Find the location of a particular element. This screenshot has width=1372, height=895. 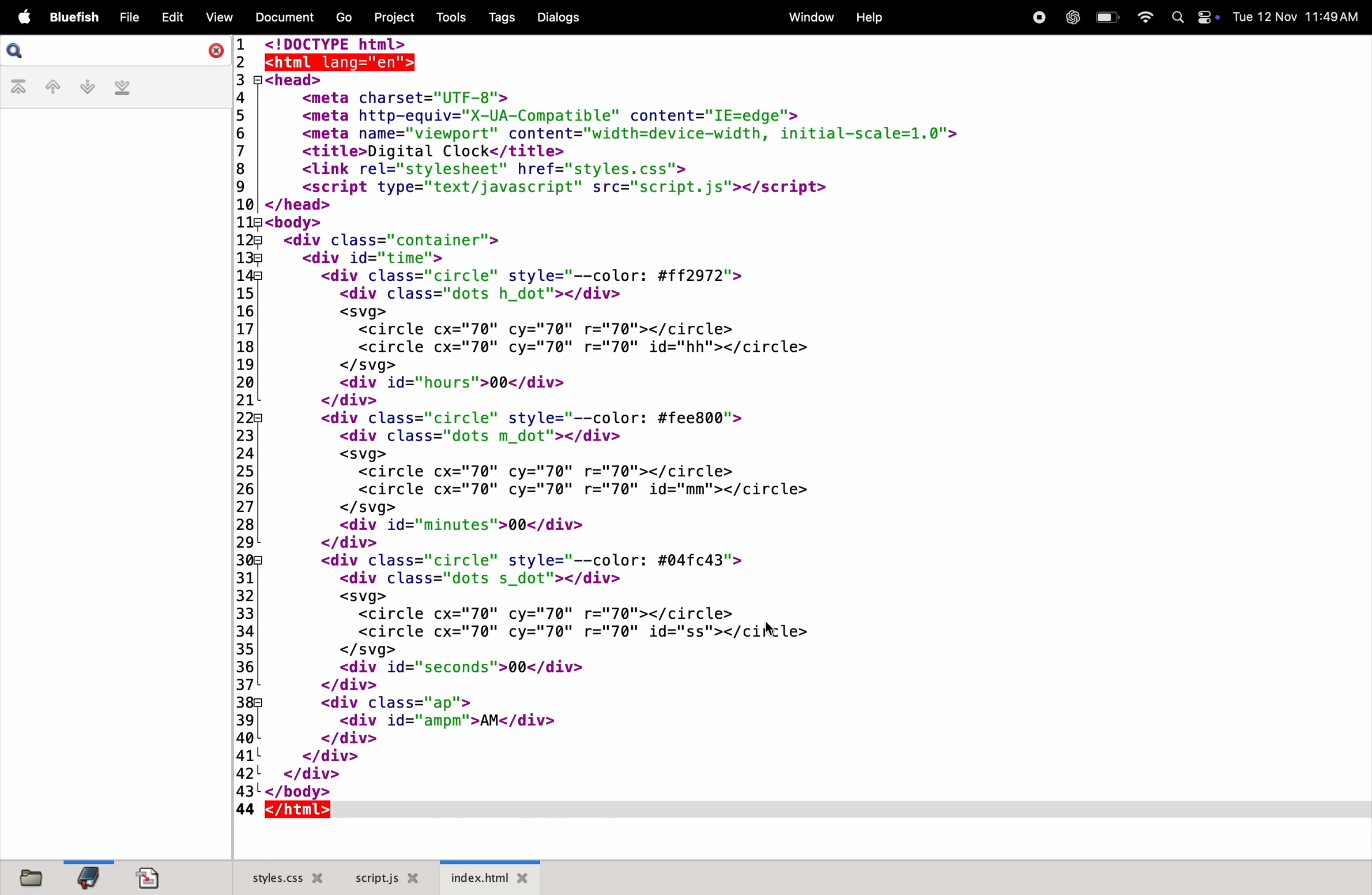

bluefish menu is located at coordinates (74, 18).